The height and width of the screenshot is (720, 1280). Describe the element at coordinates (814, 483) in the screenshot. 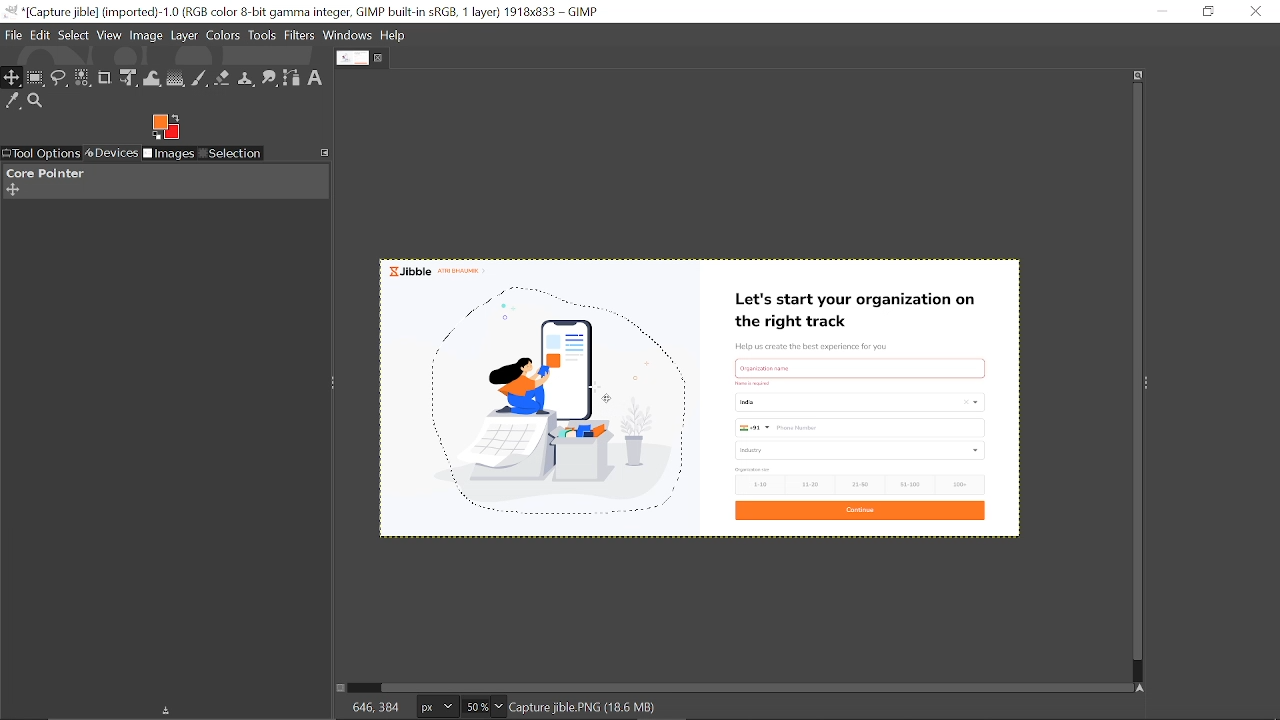

I see `11-20` at that location.